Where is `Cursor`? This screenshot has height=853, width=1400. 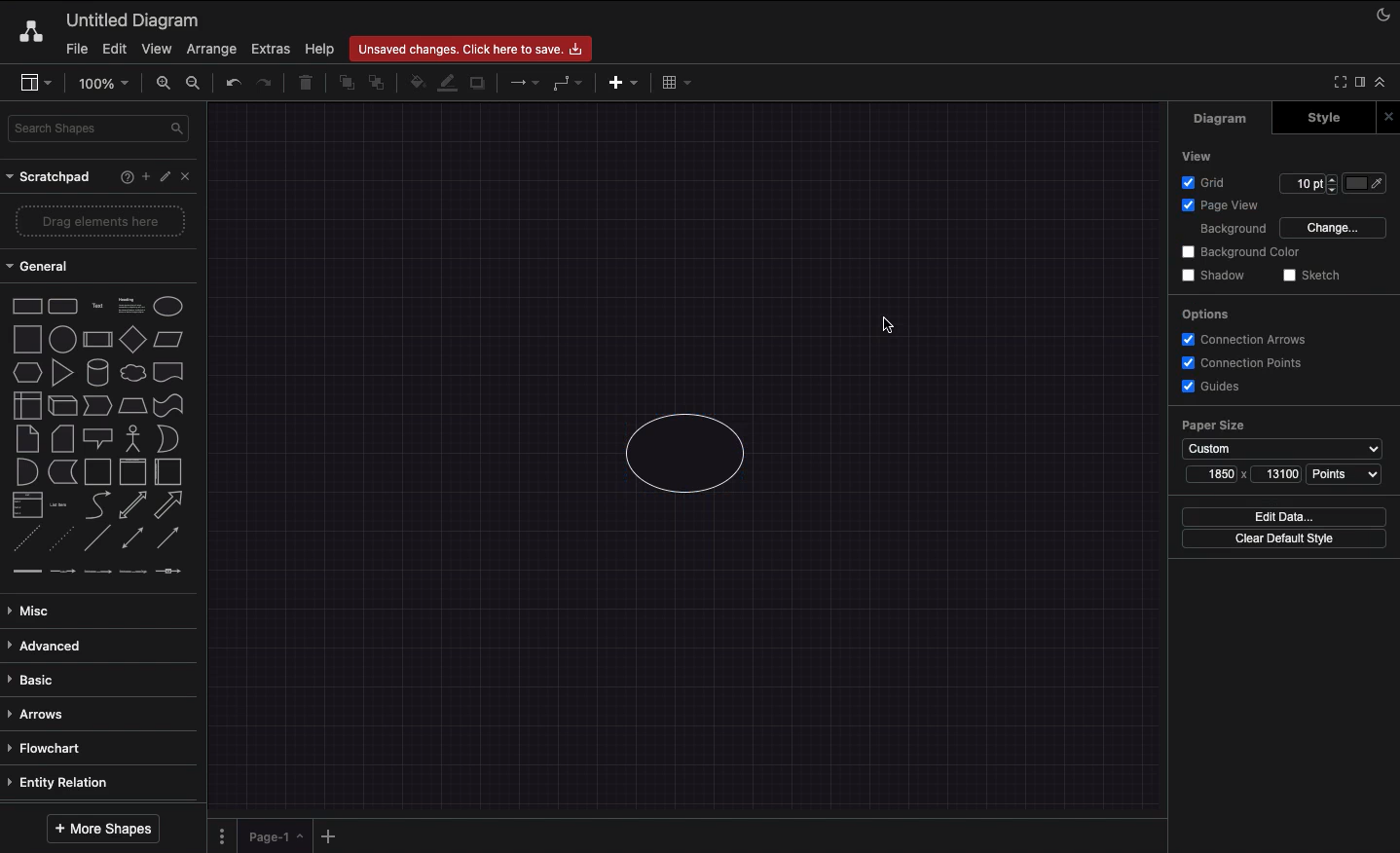 Cursor is located at coordinates (883, 325).